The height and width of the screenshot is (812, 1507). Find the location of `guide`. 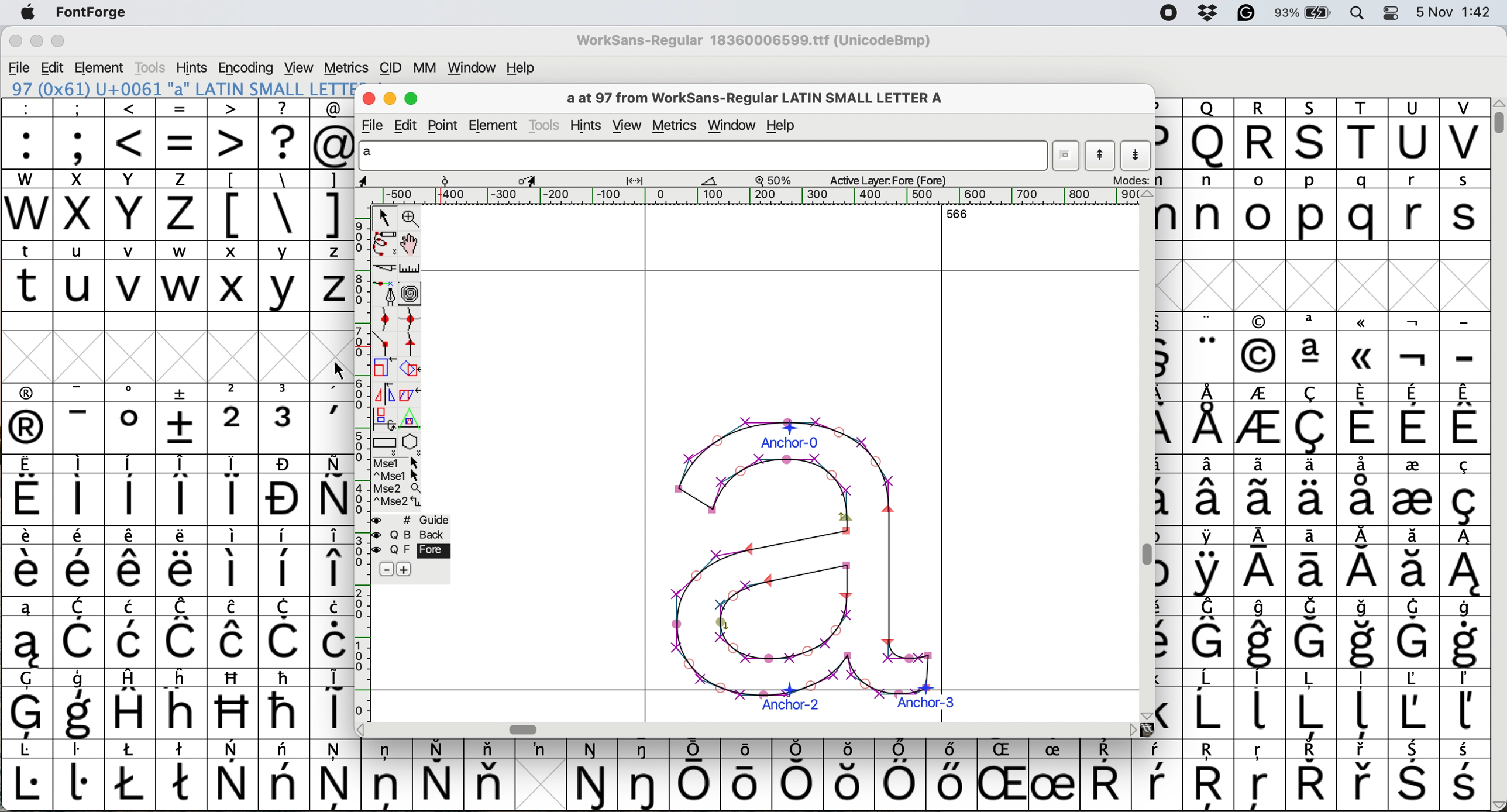

guide is located at coordinates (412, 519).